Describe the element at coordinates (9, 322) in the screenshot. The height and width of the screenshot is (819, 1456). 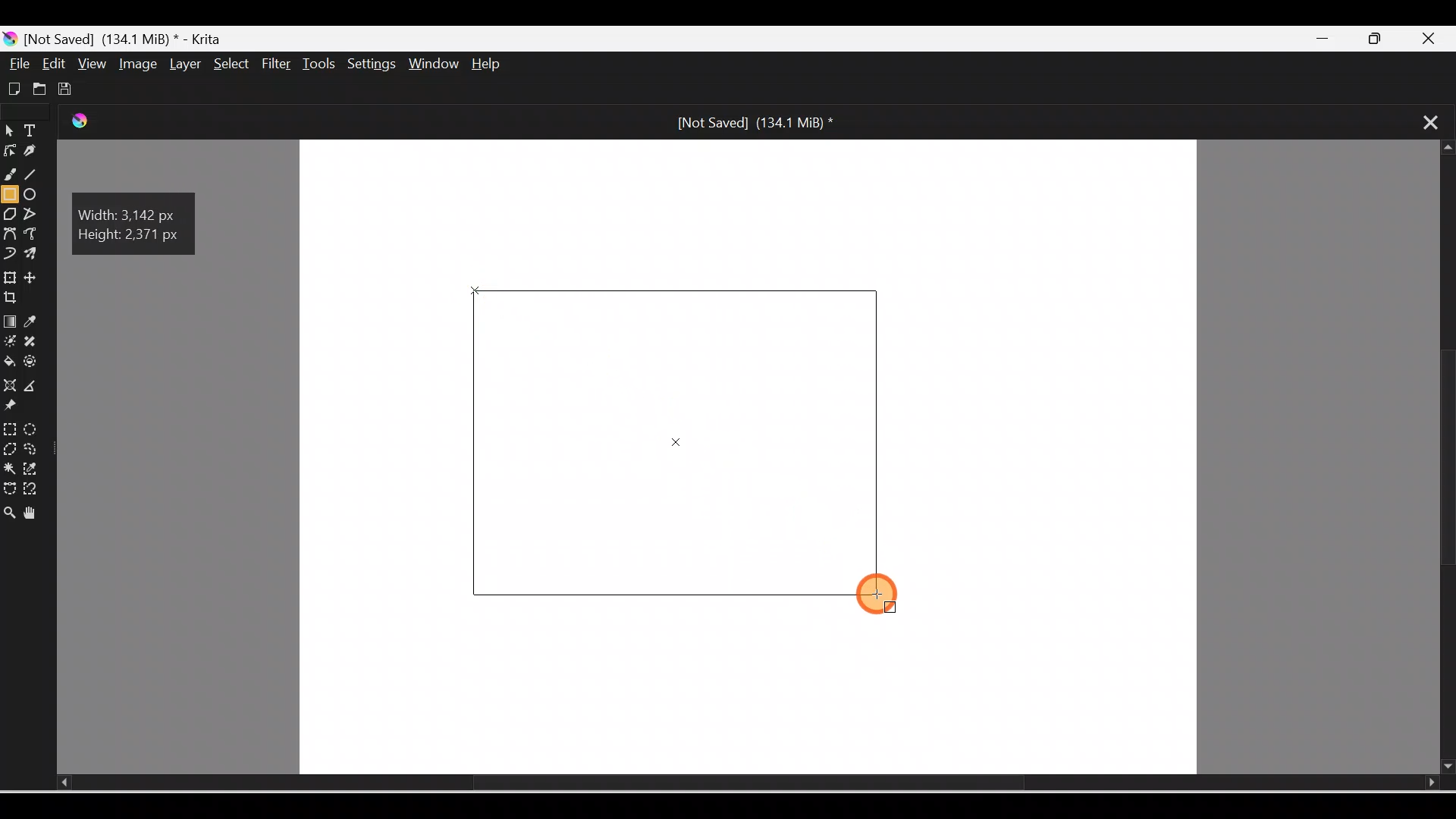
I see `Draw a gradient` at that location.